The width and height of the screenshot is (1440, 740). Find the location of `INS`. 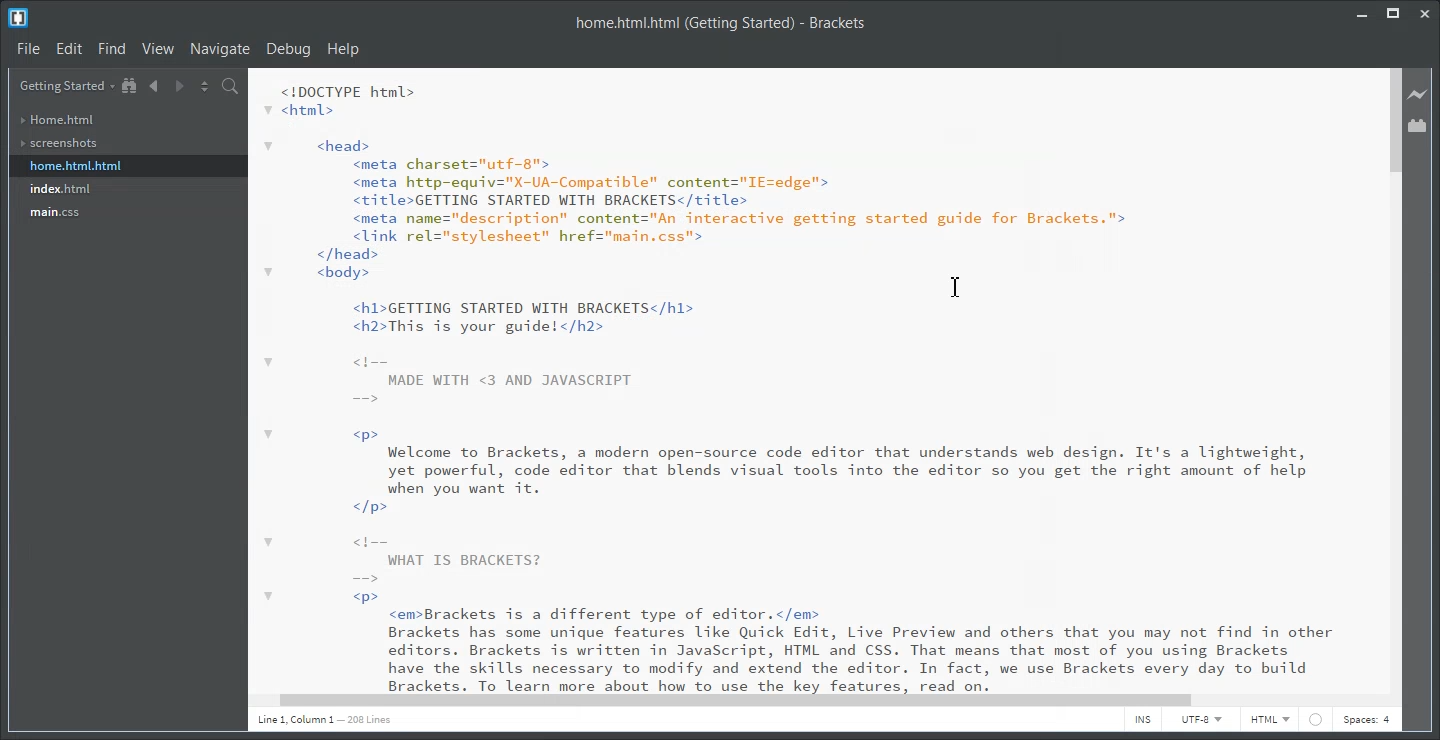

INS is located at coordinates (1142, 722).